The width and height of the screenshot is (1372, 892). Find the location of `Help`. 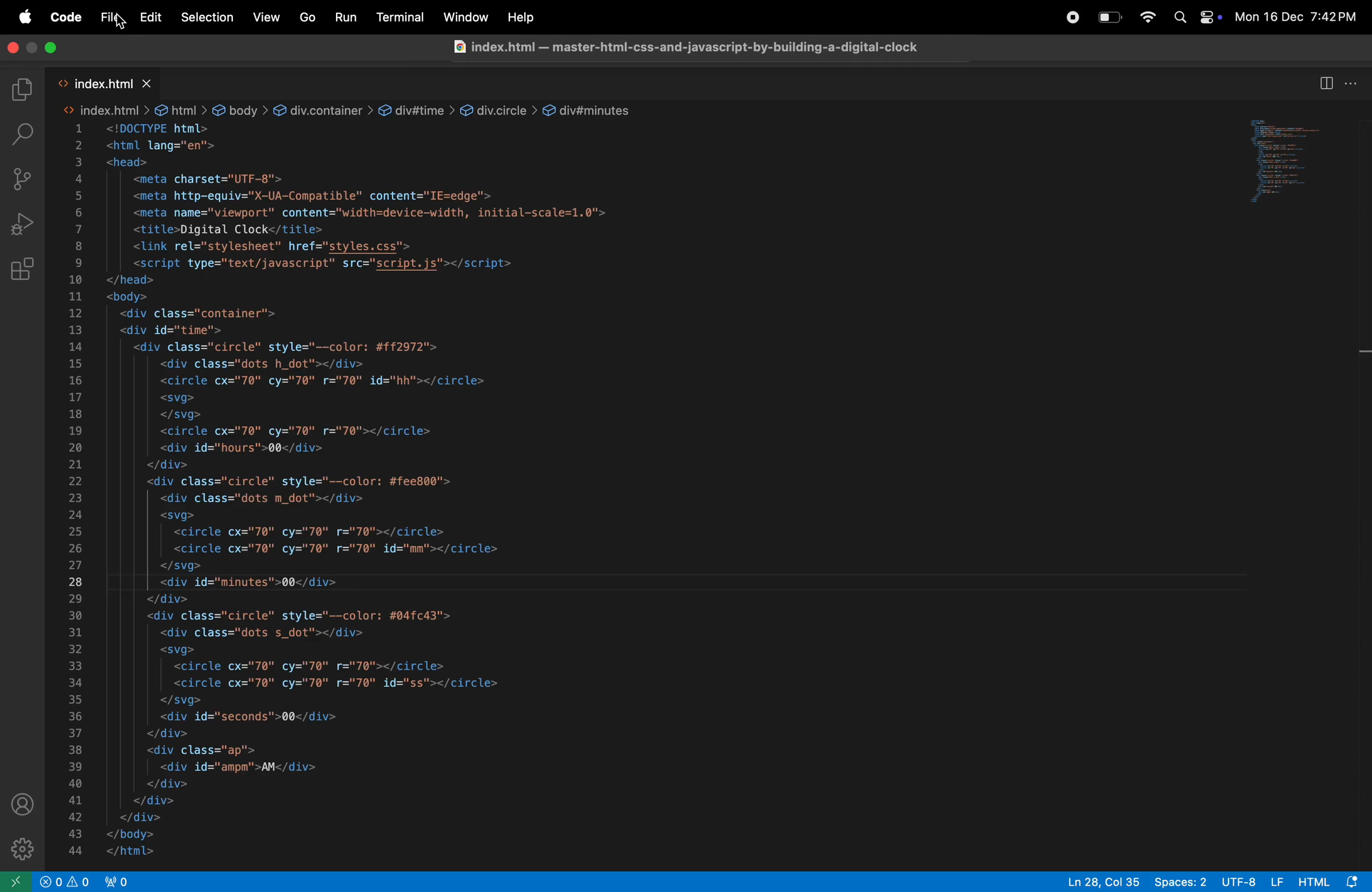

Help is located at coordinates (522, 17).